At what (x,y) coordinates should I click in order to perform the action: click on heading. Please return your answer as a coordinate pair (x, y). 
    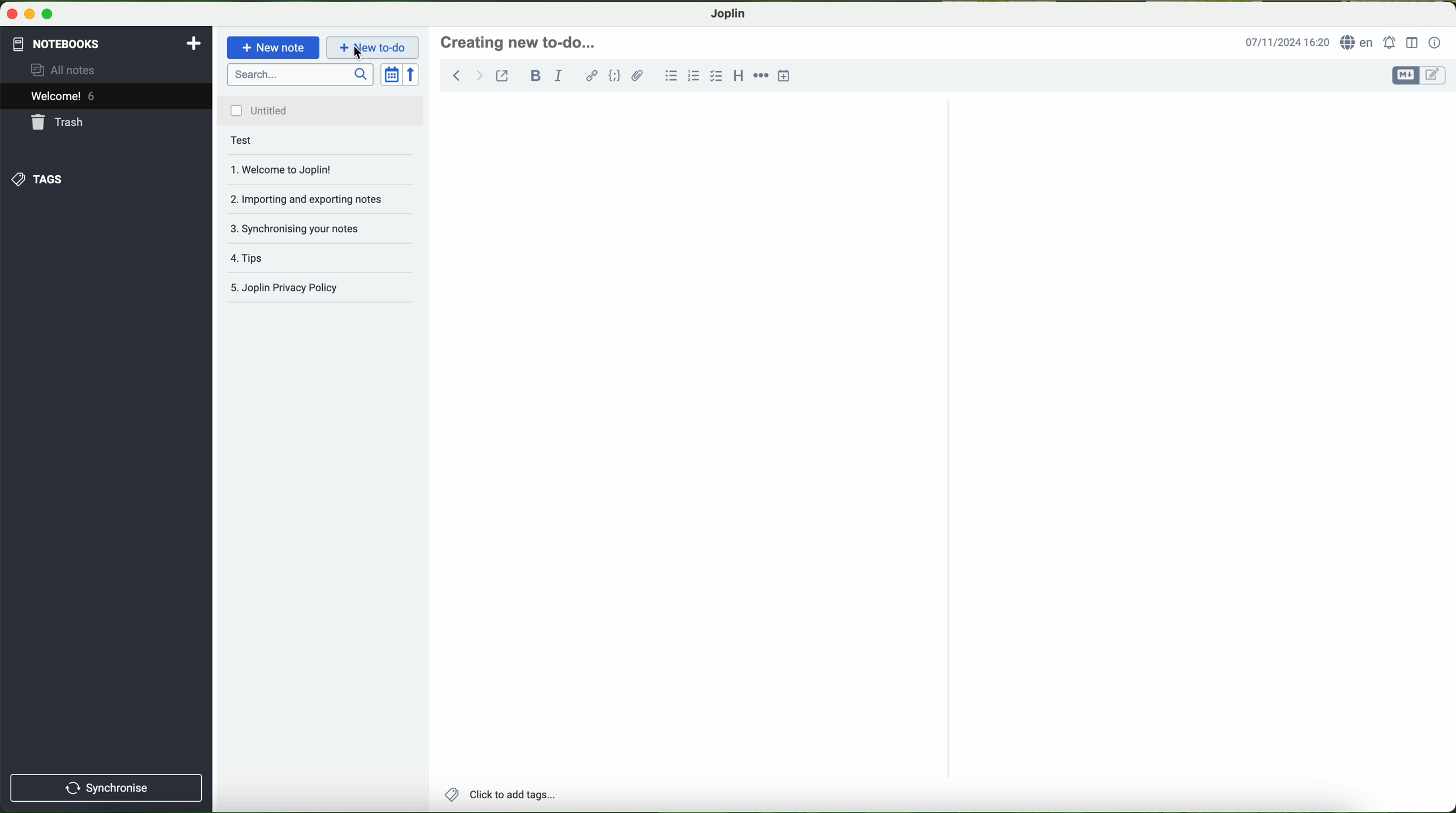
    Looking at the image, I should click on (738, 77).